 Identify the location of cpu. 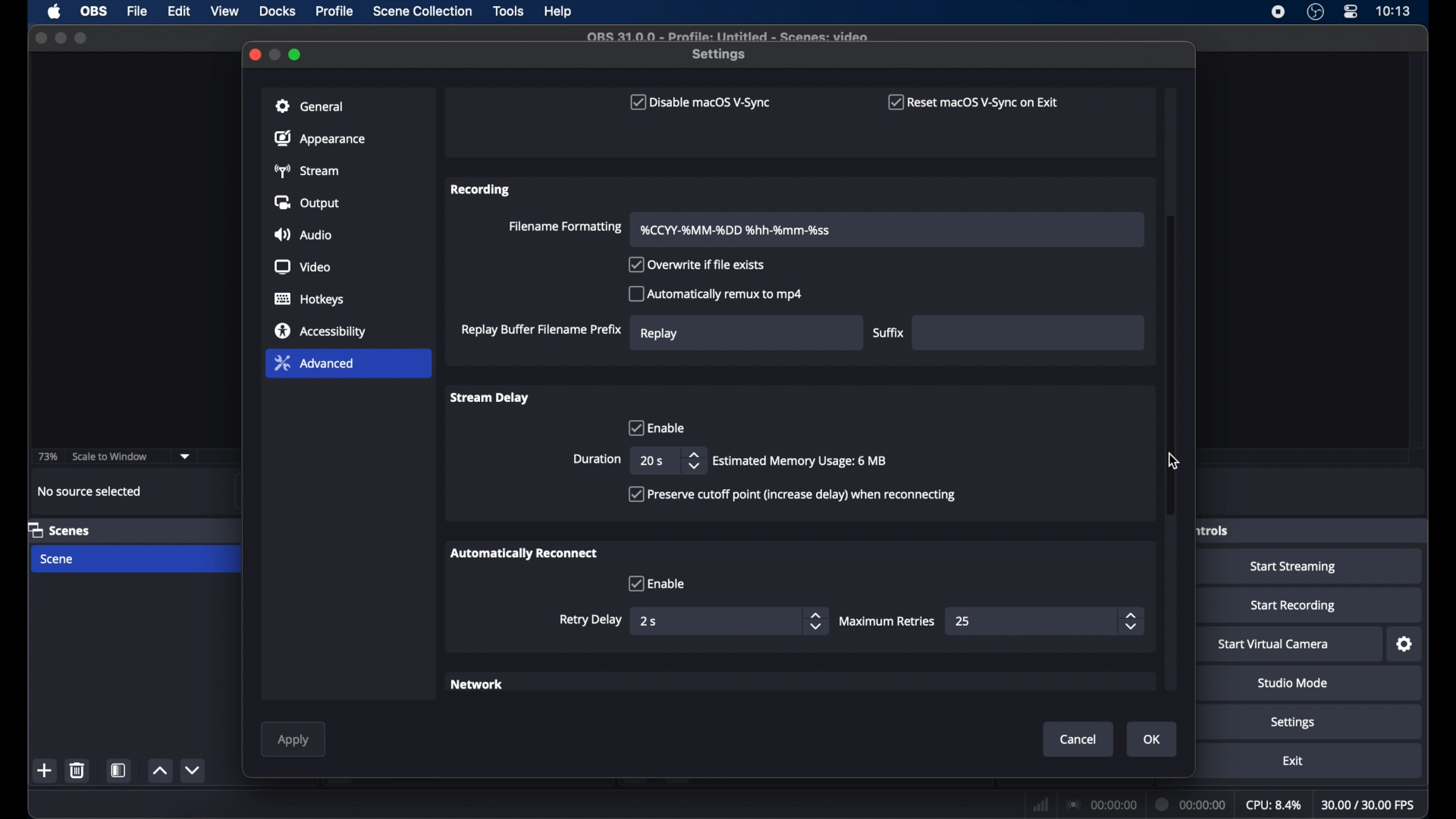
(1274, 805).